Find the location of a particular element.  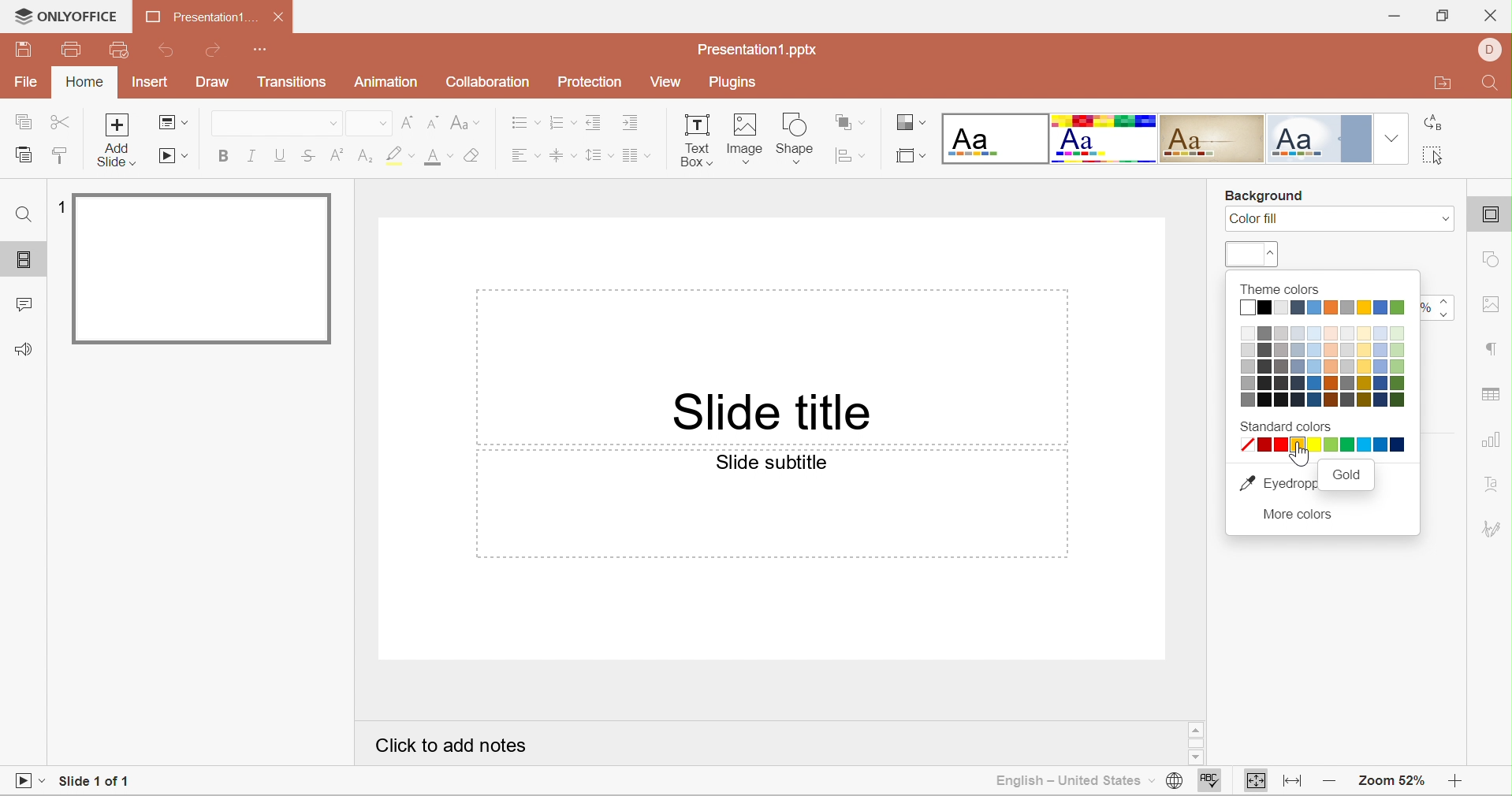

Standard colors is located at coordinates (1286, 425).